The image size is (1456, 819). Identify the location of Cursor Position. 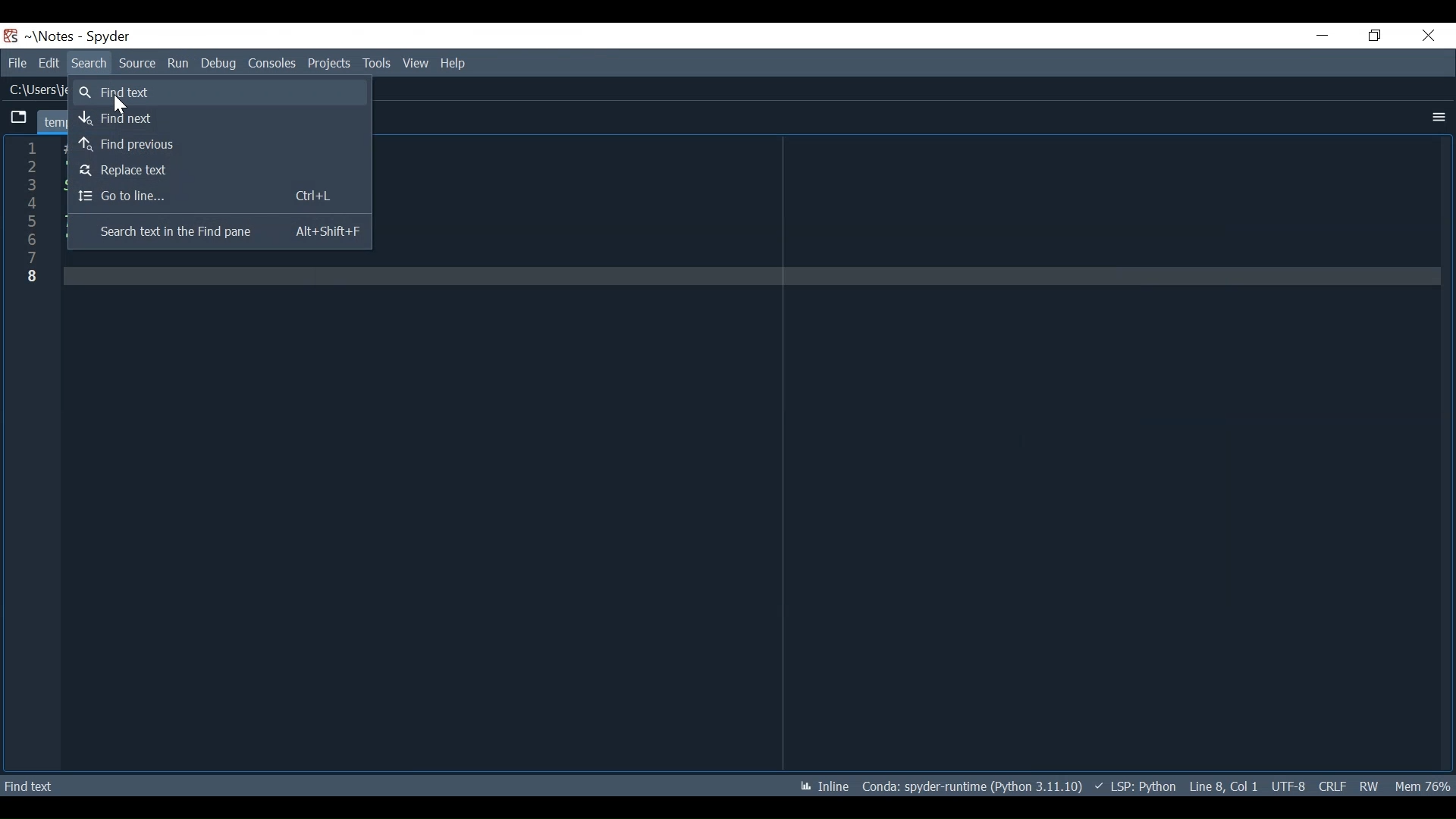
(1226, 785).